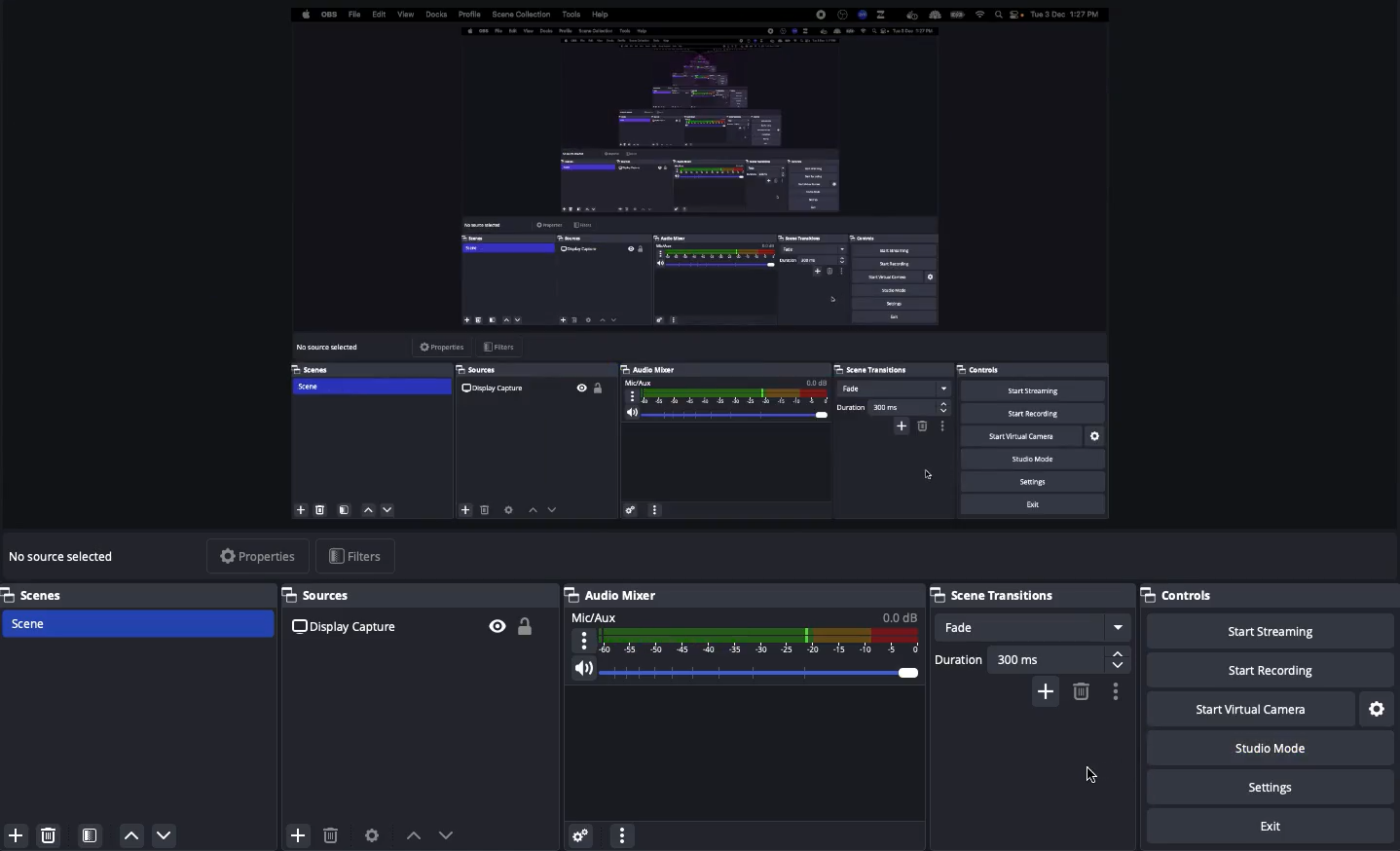 Image resolution: width=1400 pixels, height=851 pixels. Describe the element at coordinates (611, 595) in the screenshot. I see `Audio mixer` at that location.